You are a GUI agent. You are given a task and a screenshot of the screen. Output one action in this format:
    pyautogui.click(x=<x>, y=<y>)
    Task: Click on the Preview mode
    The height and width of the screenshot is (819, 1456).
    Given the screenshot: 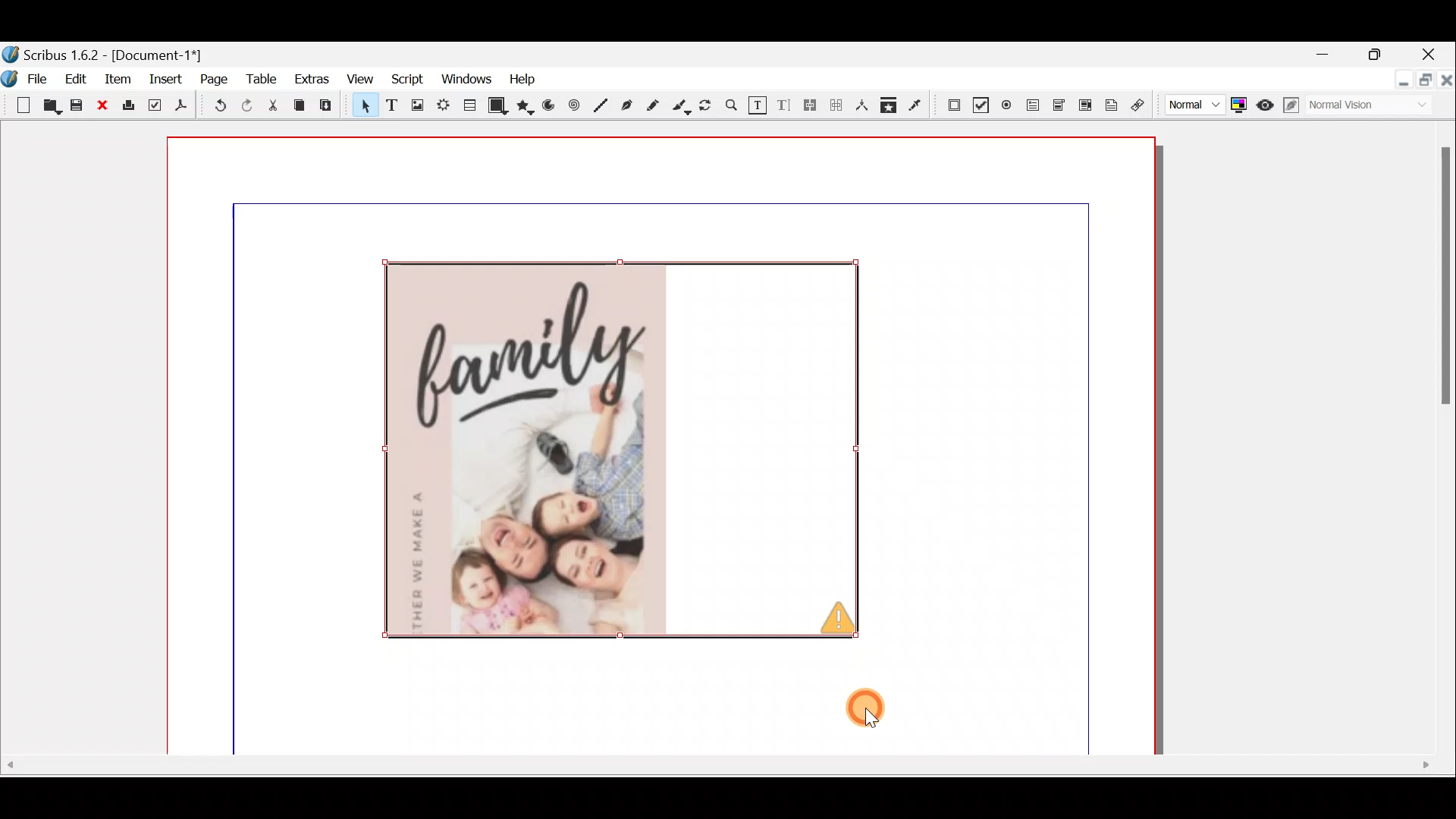 What is the action you would take?
    pyautogui.click(x=1266, y=102)
    